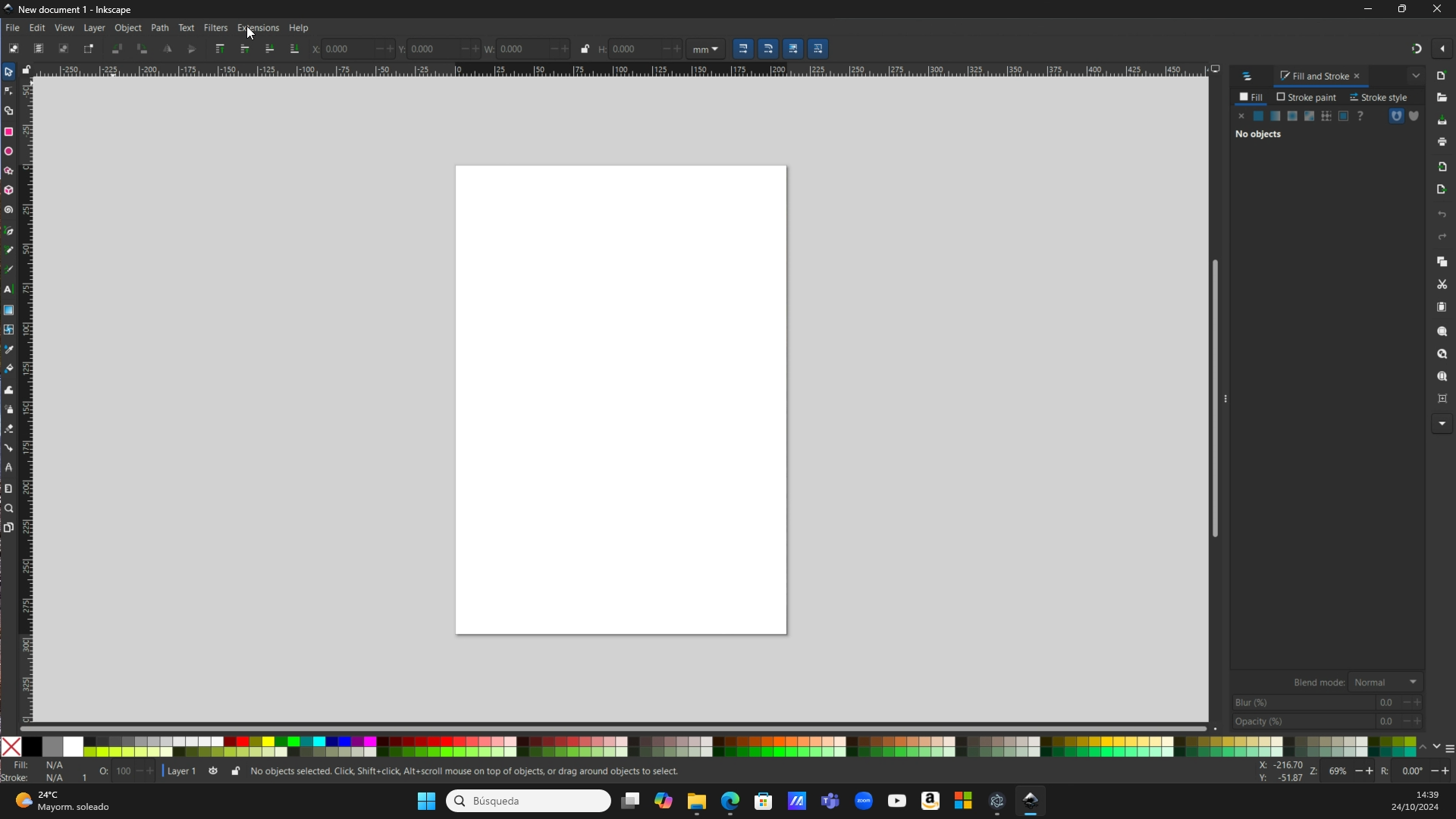  I want to click on Fill and Stroke, so click(1322, 76).